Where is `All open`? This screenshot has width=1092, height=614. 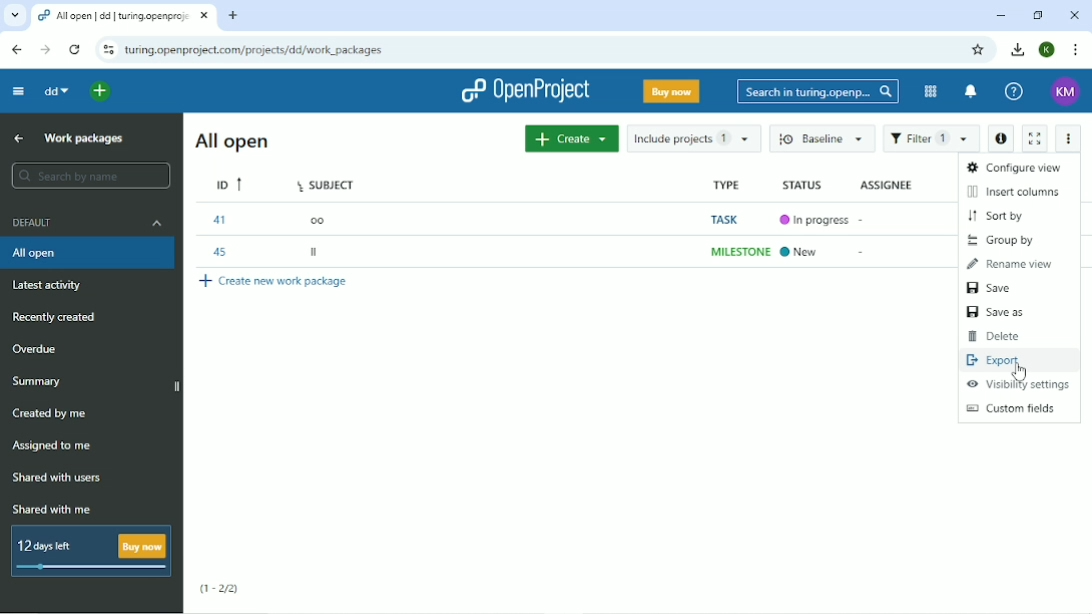 All open is located at coordinates (88, 253).